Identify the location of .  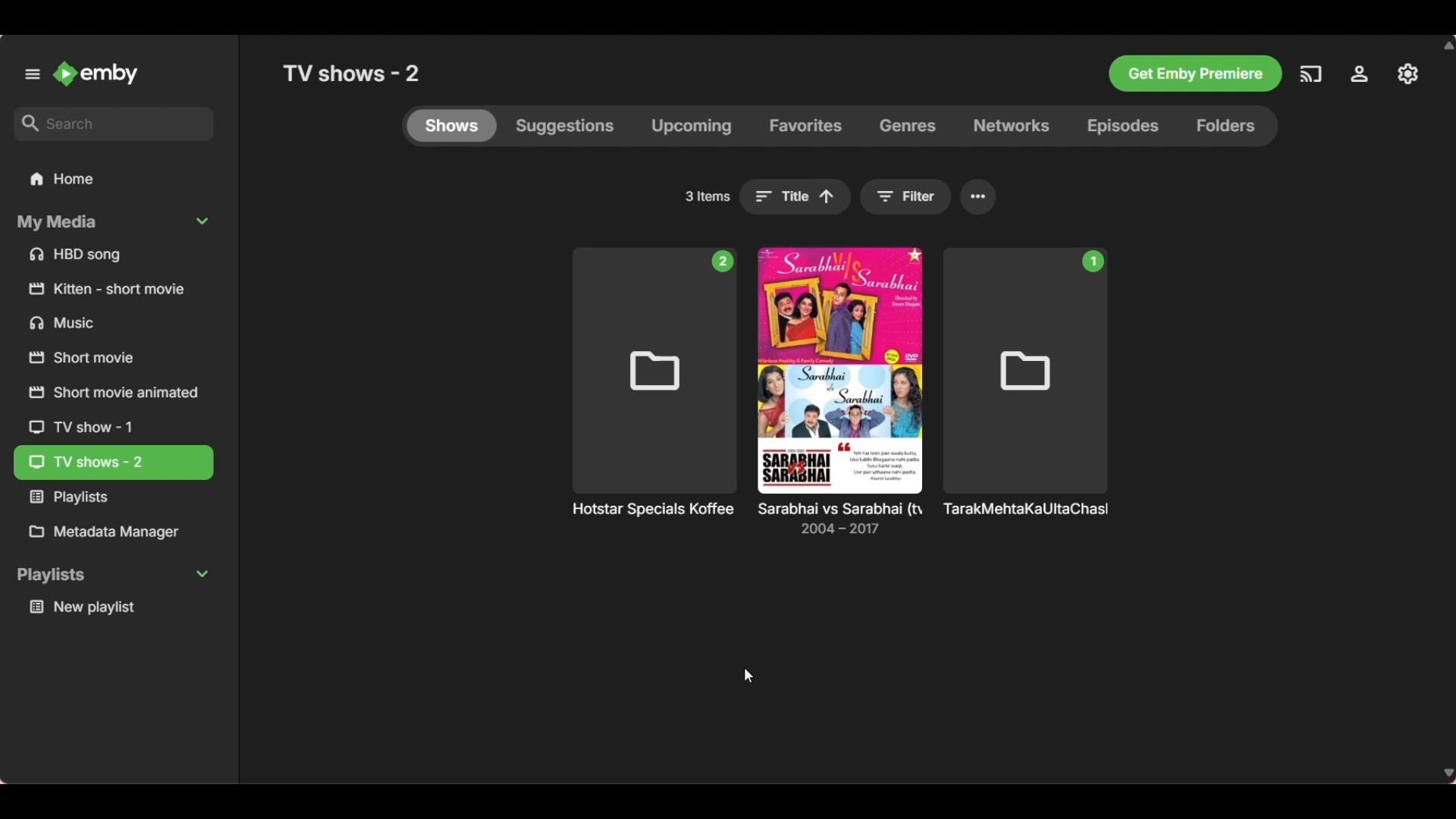
(1364, 74).